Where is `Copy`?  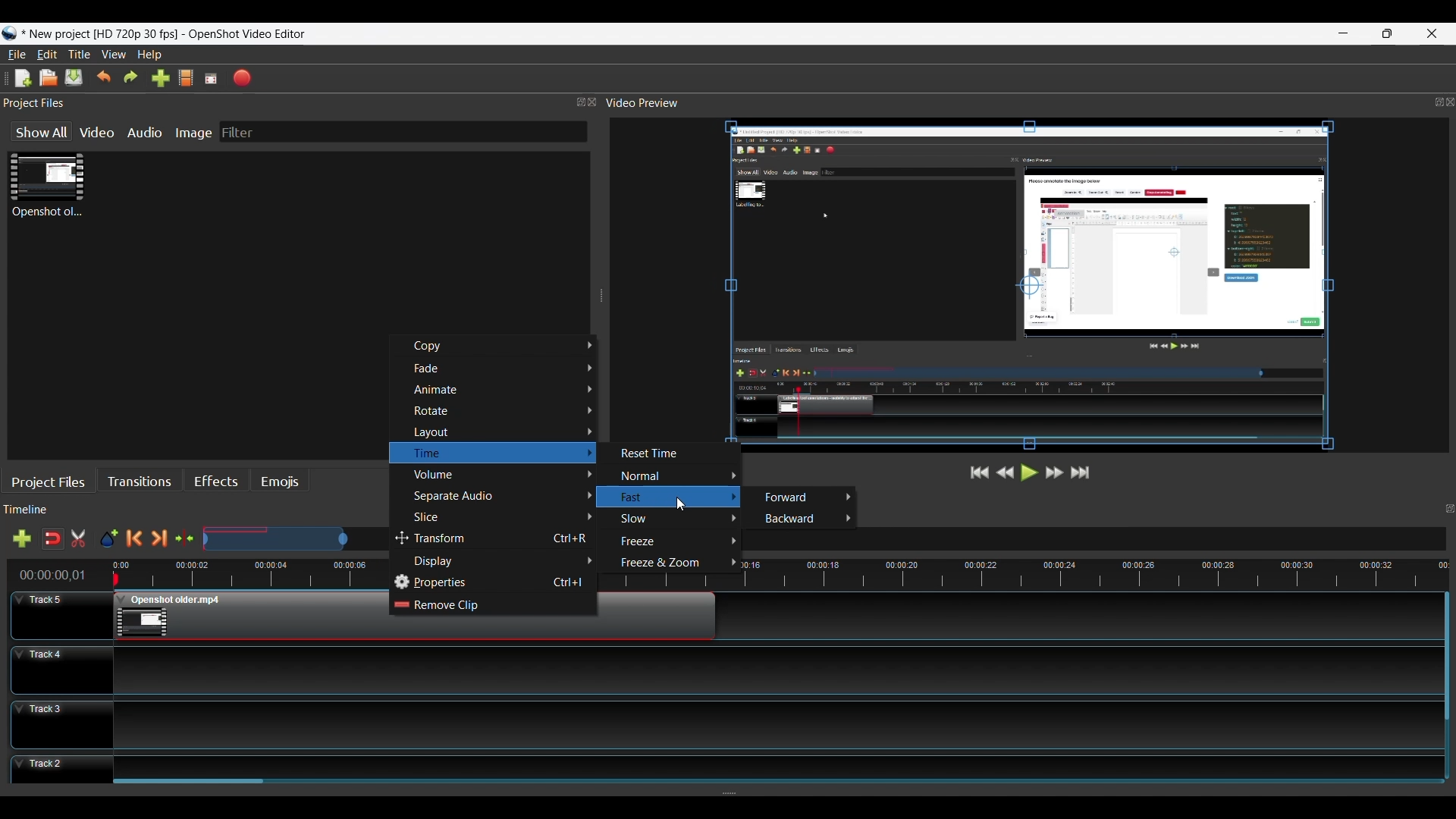 Copy is located at coordinates (501, 347).